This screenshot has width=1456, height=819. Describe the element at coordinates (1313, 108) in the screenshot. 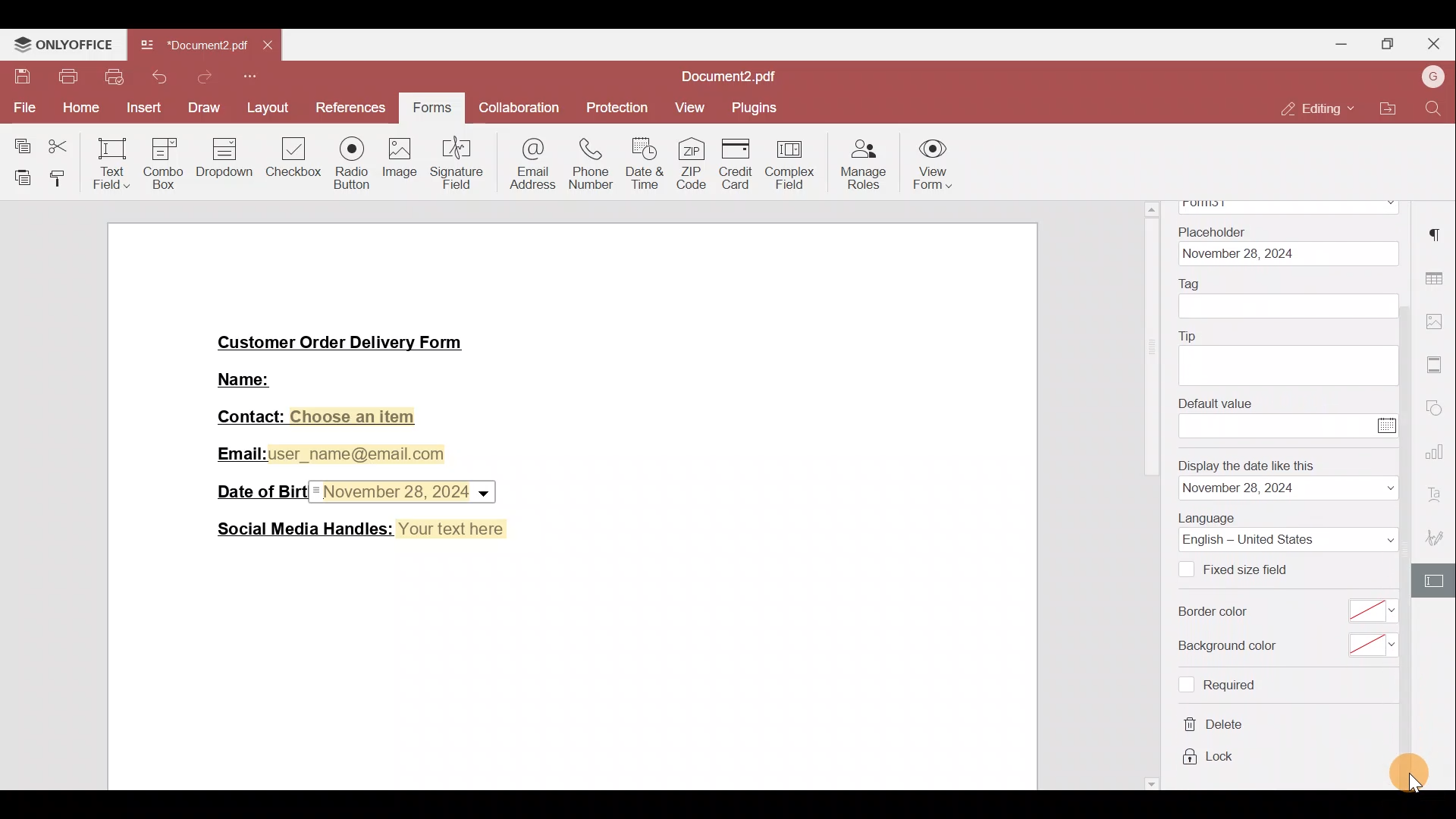

I see `Editing mode` at that location.